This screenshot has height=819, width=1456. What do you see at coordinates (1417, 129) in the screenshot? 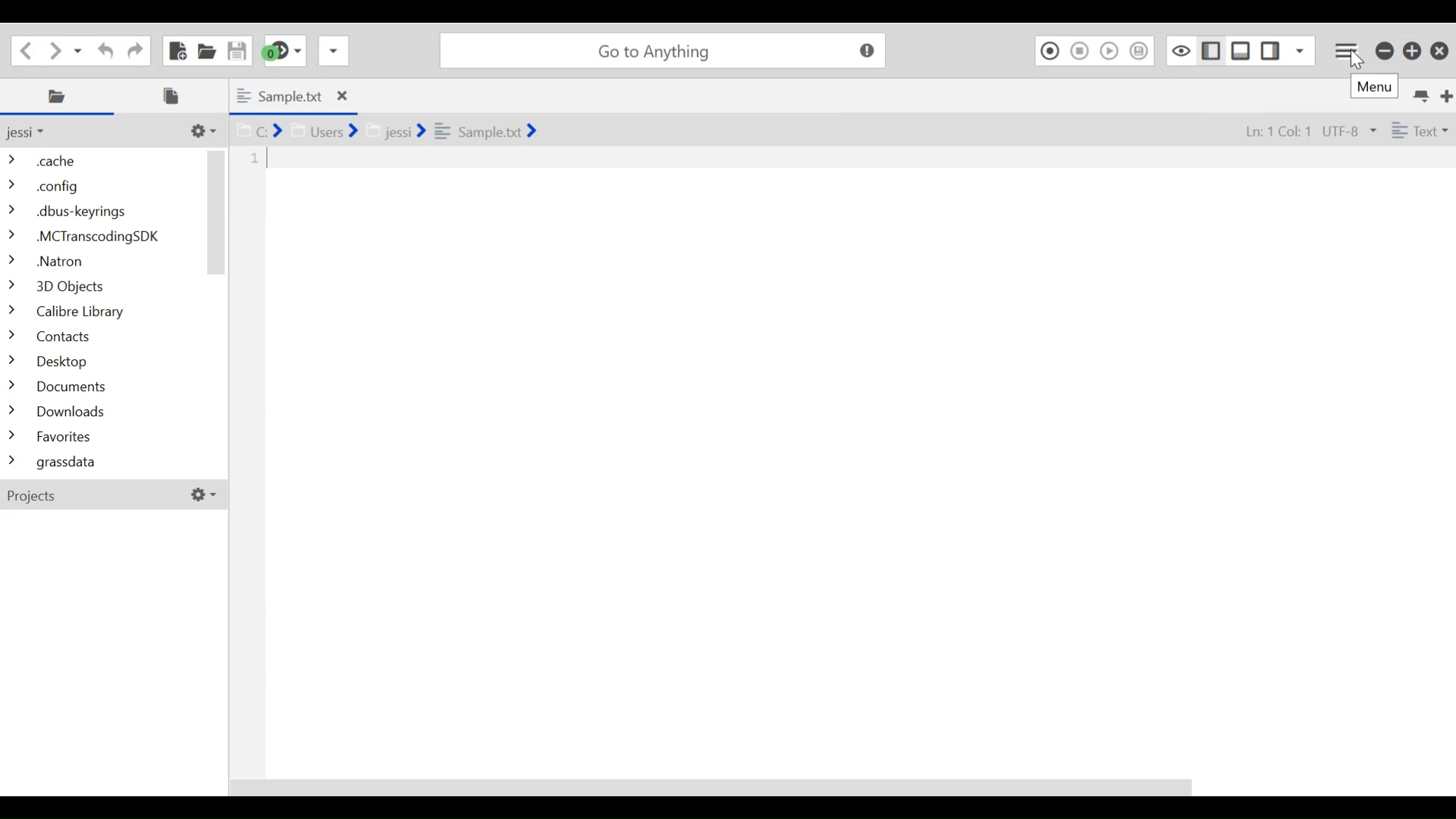
I see `File Type dropdown menu` at bounding box center [1417, 129].